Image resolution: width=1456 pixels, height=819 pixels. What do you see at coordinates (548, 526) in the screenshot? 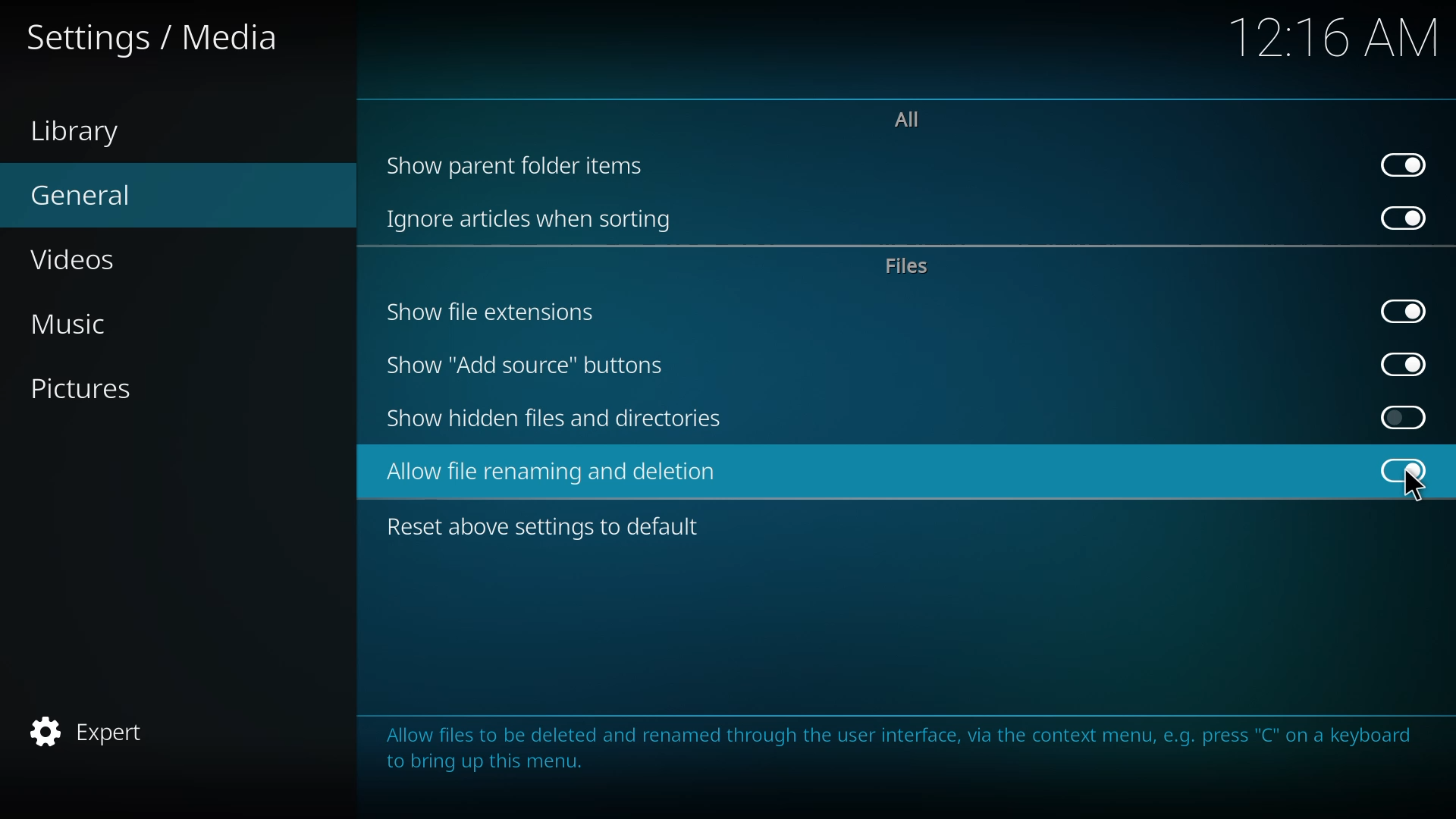
I see `reset above settings to default` at bounding box center [548, 526].